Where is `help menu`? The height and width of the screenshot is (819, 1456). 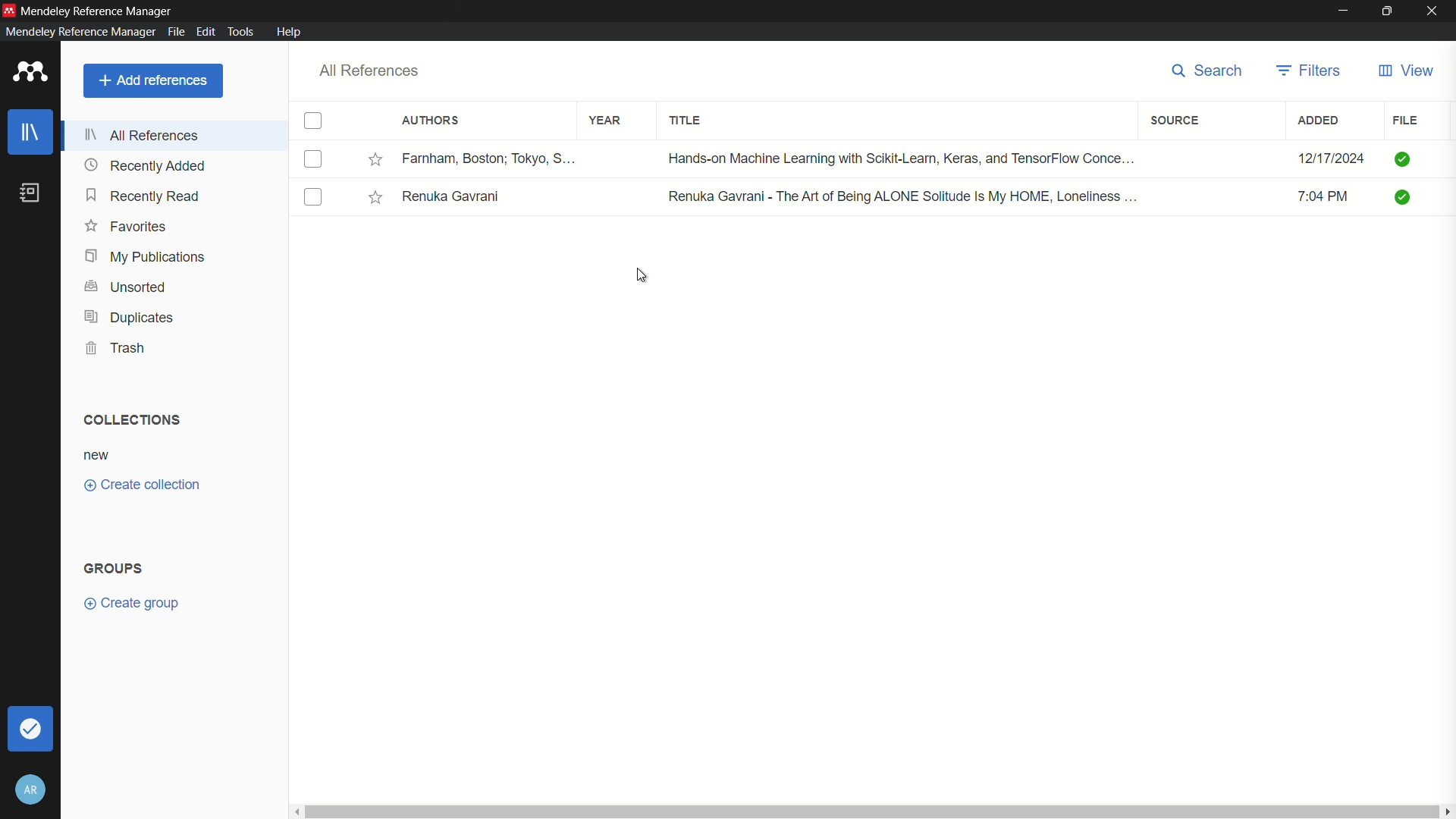 help menu is located at coordinates (290, 32).